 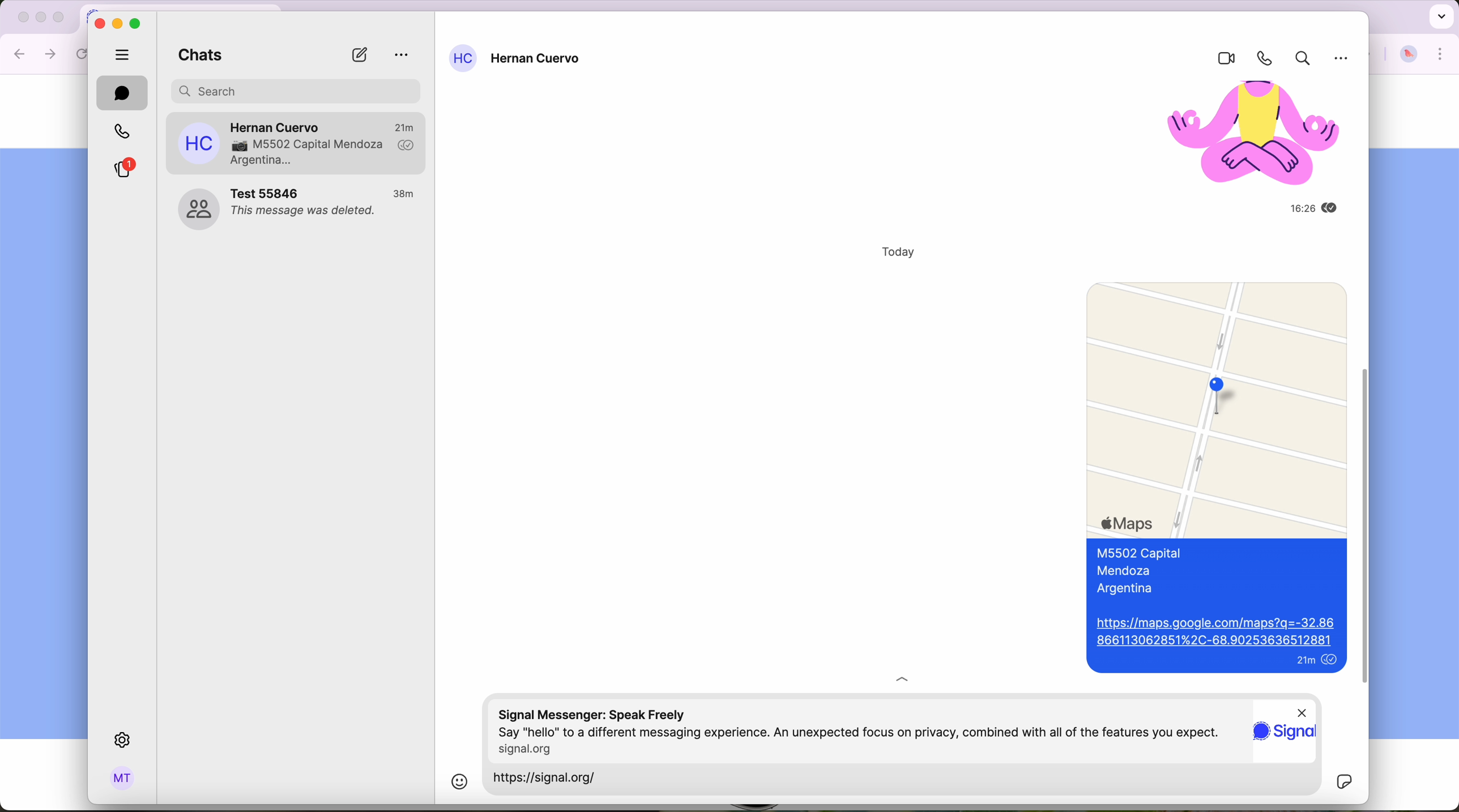 What do you see at coordinates (1300, 661) in the screenshot?
I see `21m` at bounding box center [1300, 661].